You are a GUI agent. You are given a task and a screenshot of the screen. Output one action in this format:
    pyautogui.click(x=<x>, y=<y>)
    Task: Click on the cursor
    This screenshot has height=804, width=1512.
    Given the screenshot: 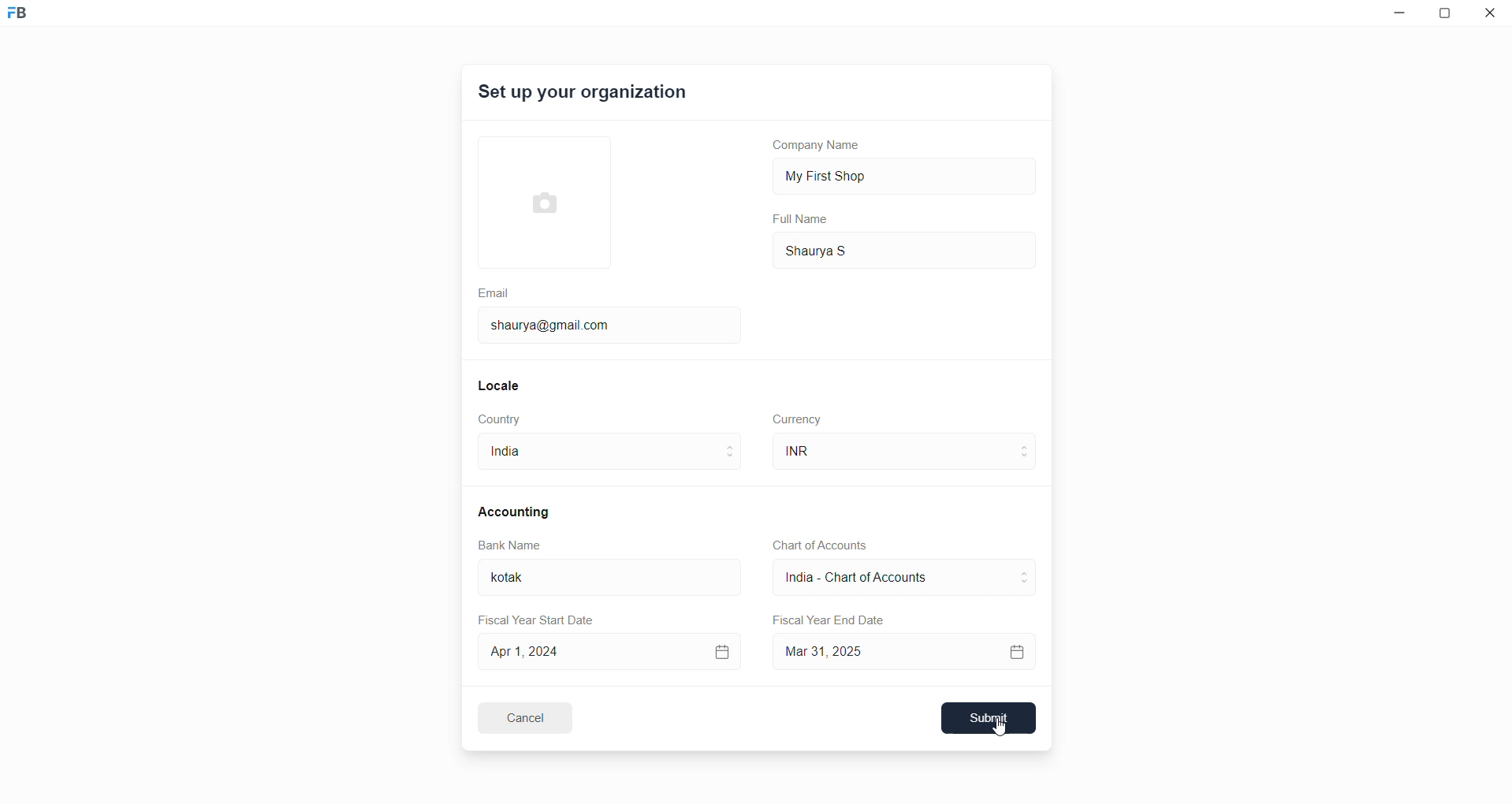 What is the action you would take?
    pyautogui.click(x=1000, y=727)
    